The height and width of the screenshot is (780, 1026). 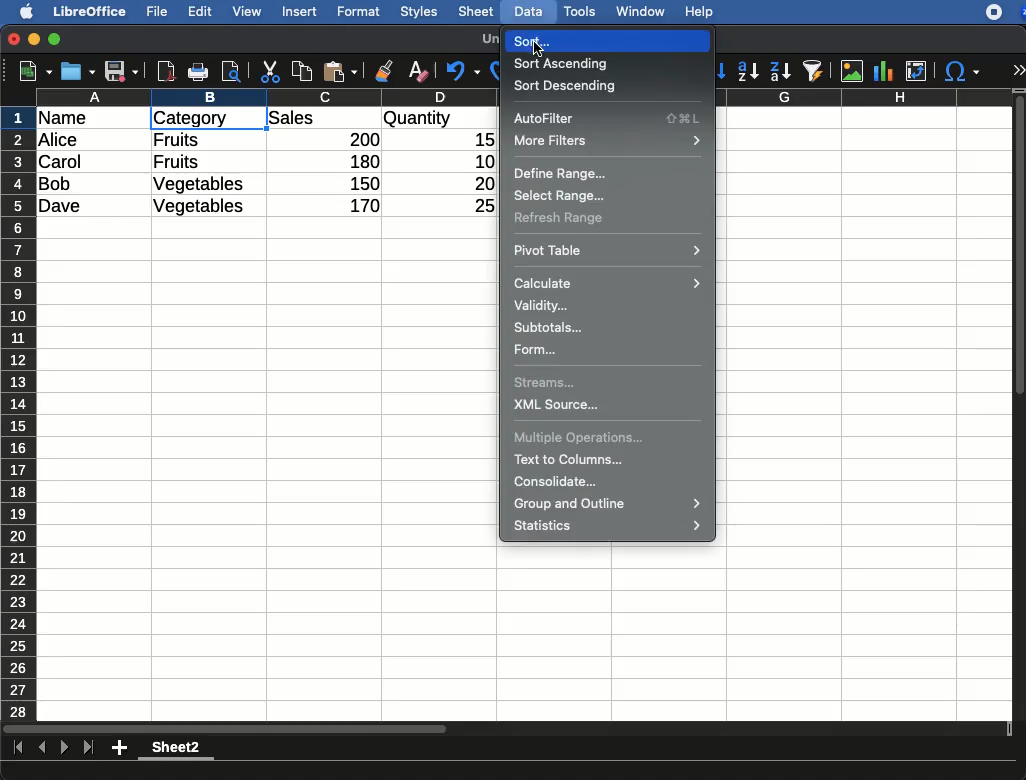 What do you see at coordinates (477, 11) in the screenshot?
I see `sheet` at bounding box center [477, 11].